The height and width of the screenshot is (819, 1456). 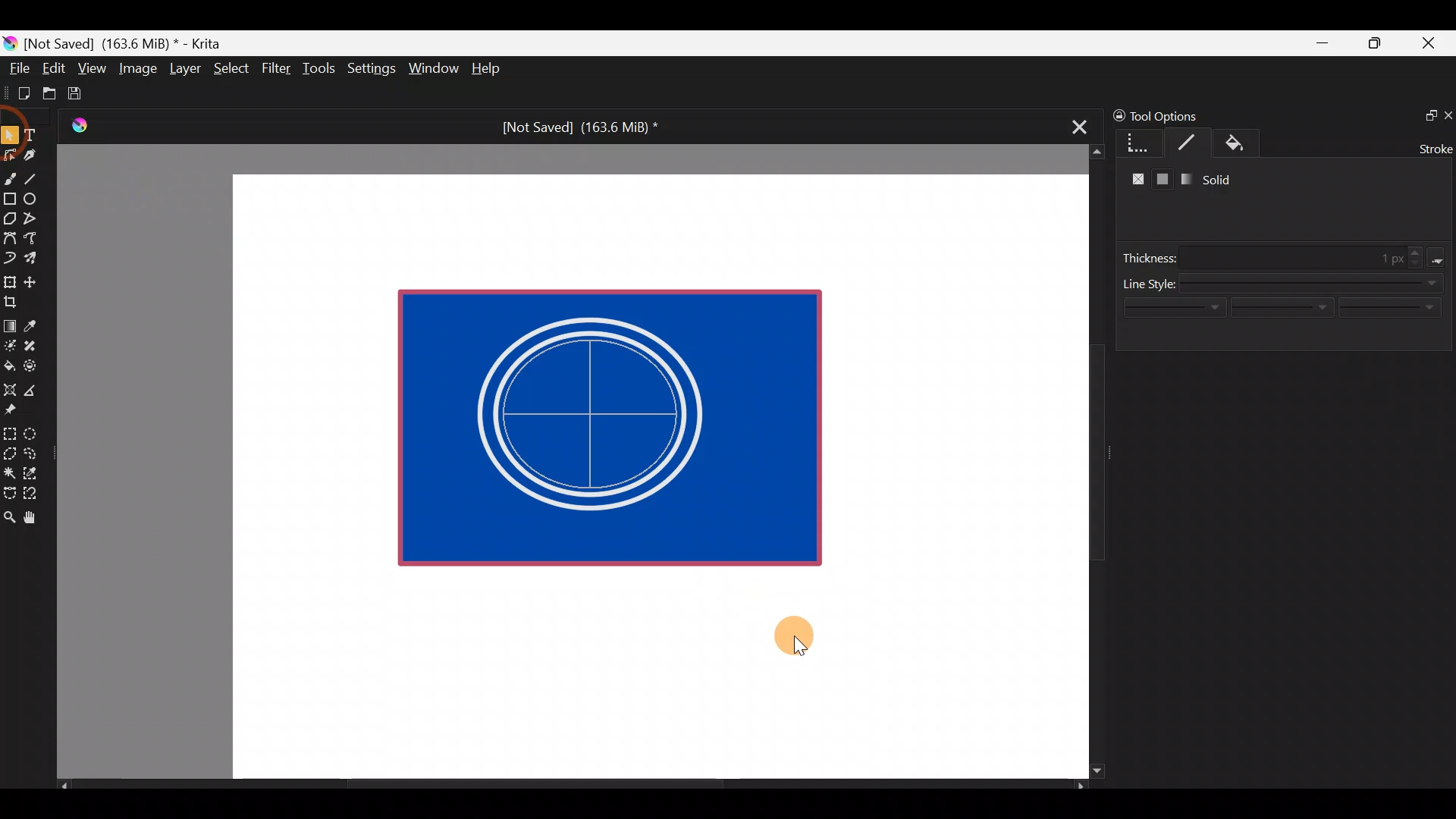 What do you see at coordinates (33, 452) in the screenshot?
I see `Freehand selection tool` at bounding box center [33, 452].